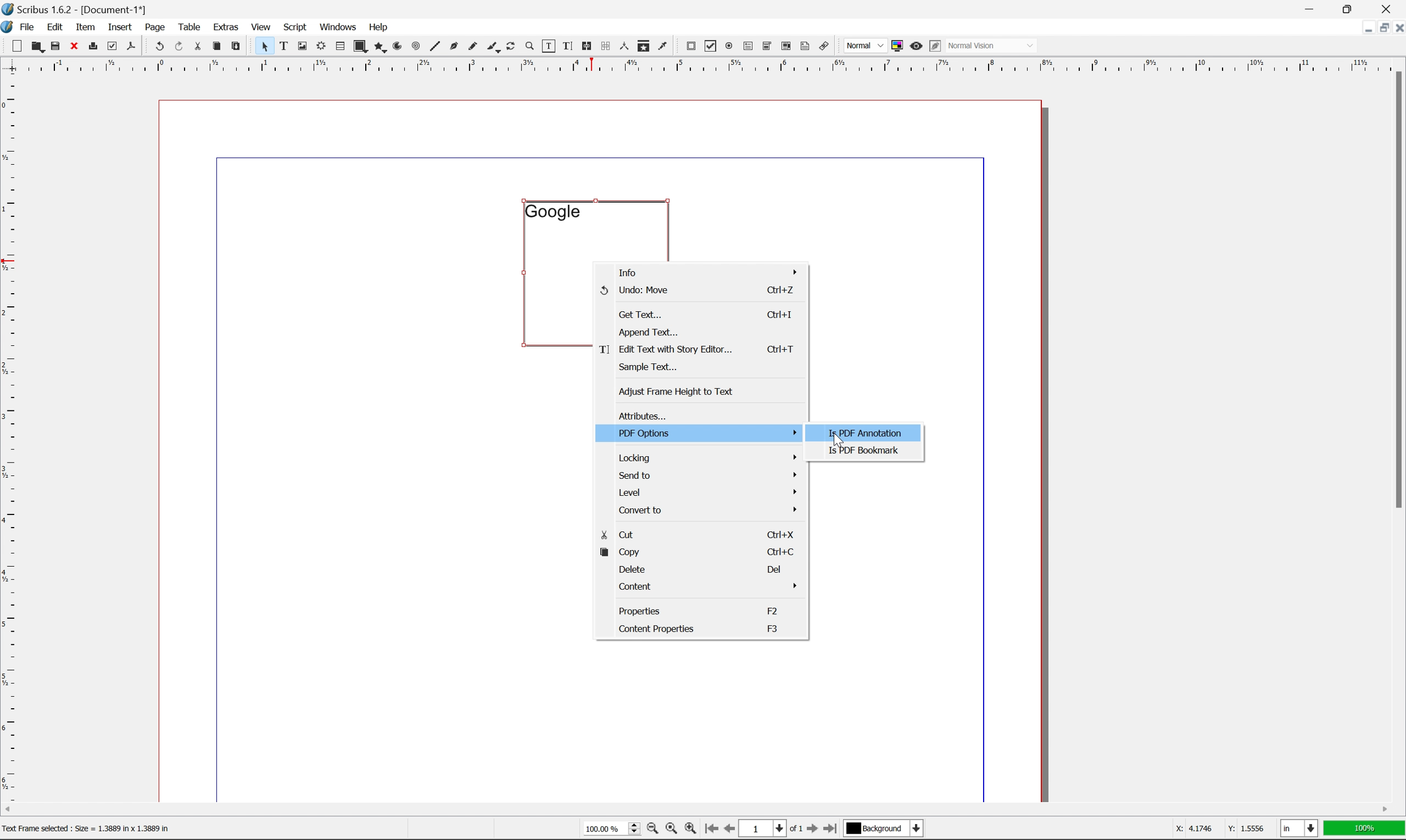 The height and width of the screenshot is (840, 1406). Describe the element at coordinates (75, 45) in the screenshot. I see `close` at that location.